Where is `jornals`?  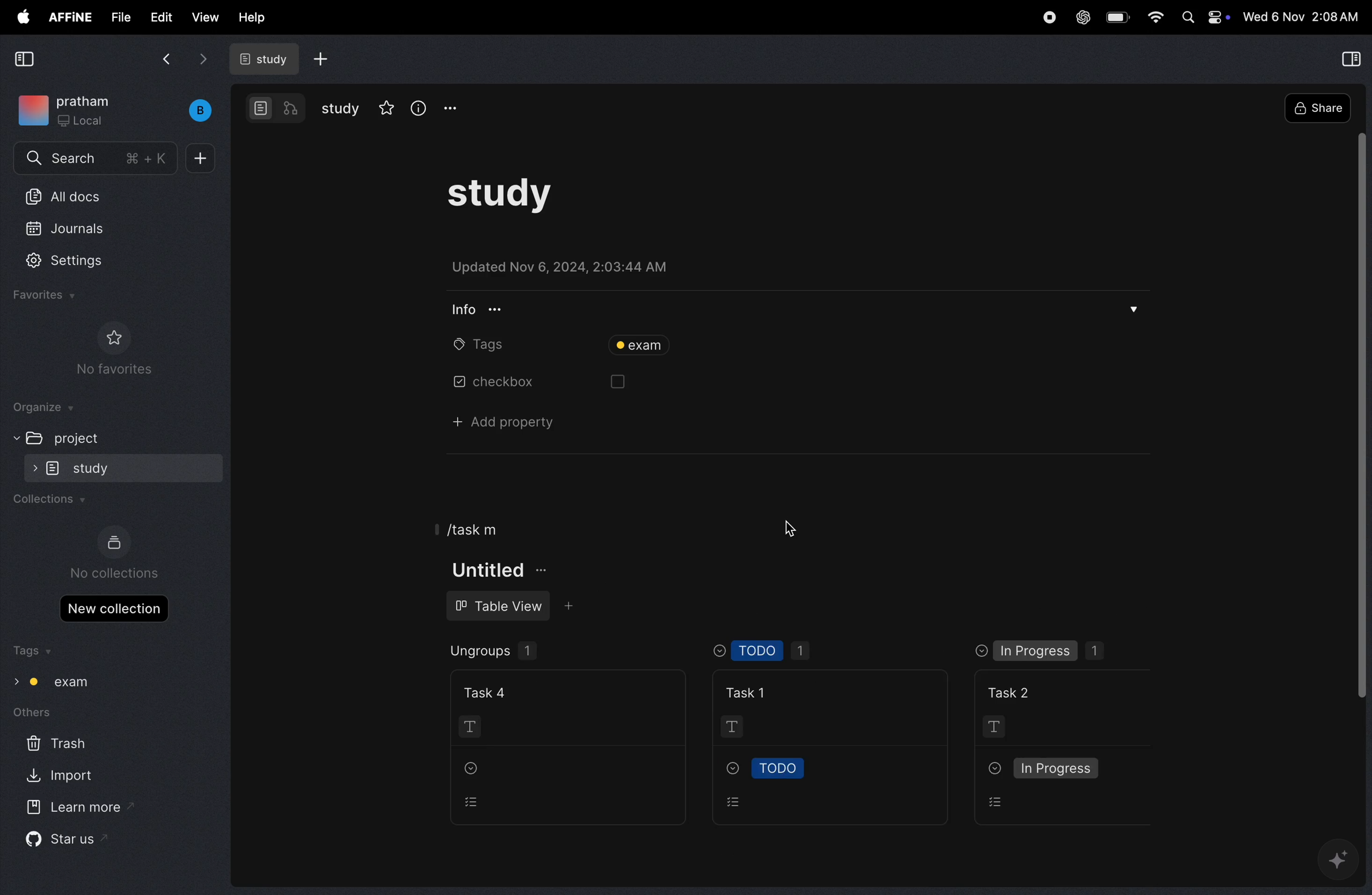
jornals is located at coordinates (79, 228).